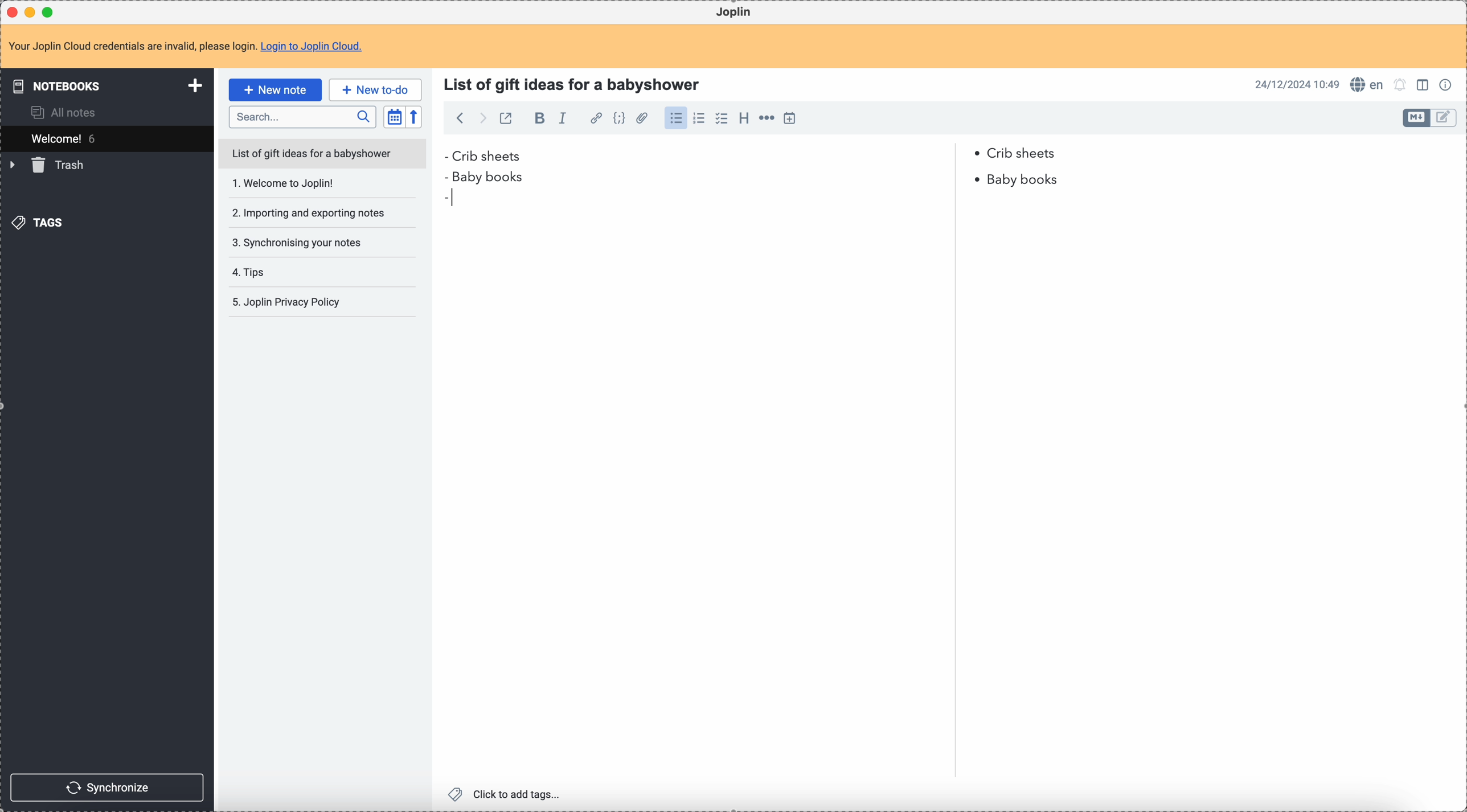 Image resolution: width=1467 pixels, height=812 pixels. I want to click on insert time, so click(793, 118).